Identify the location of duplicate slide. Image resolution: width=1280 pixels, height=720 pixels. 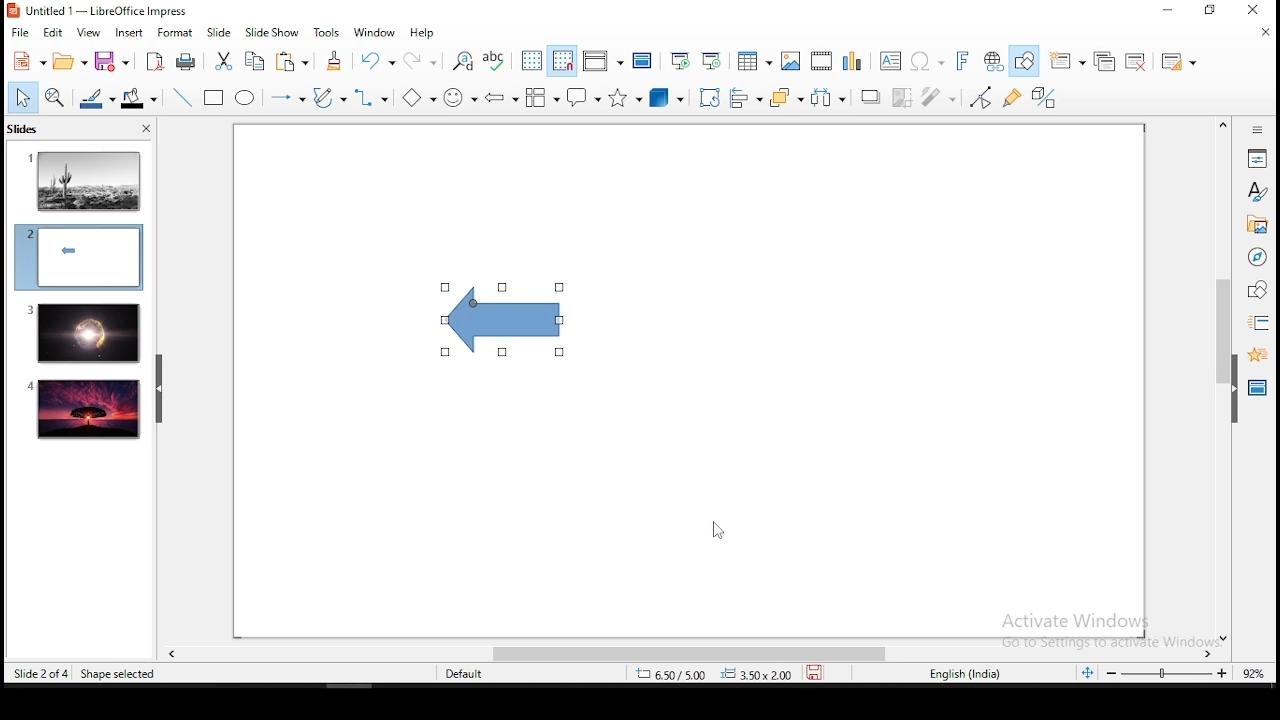
(1107, 62).